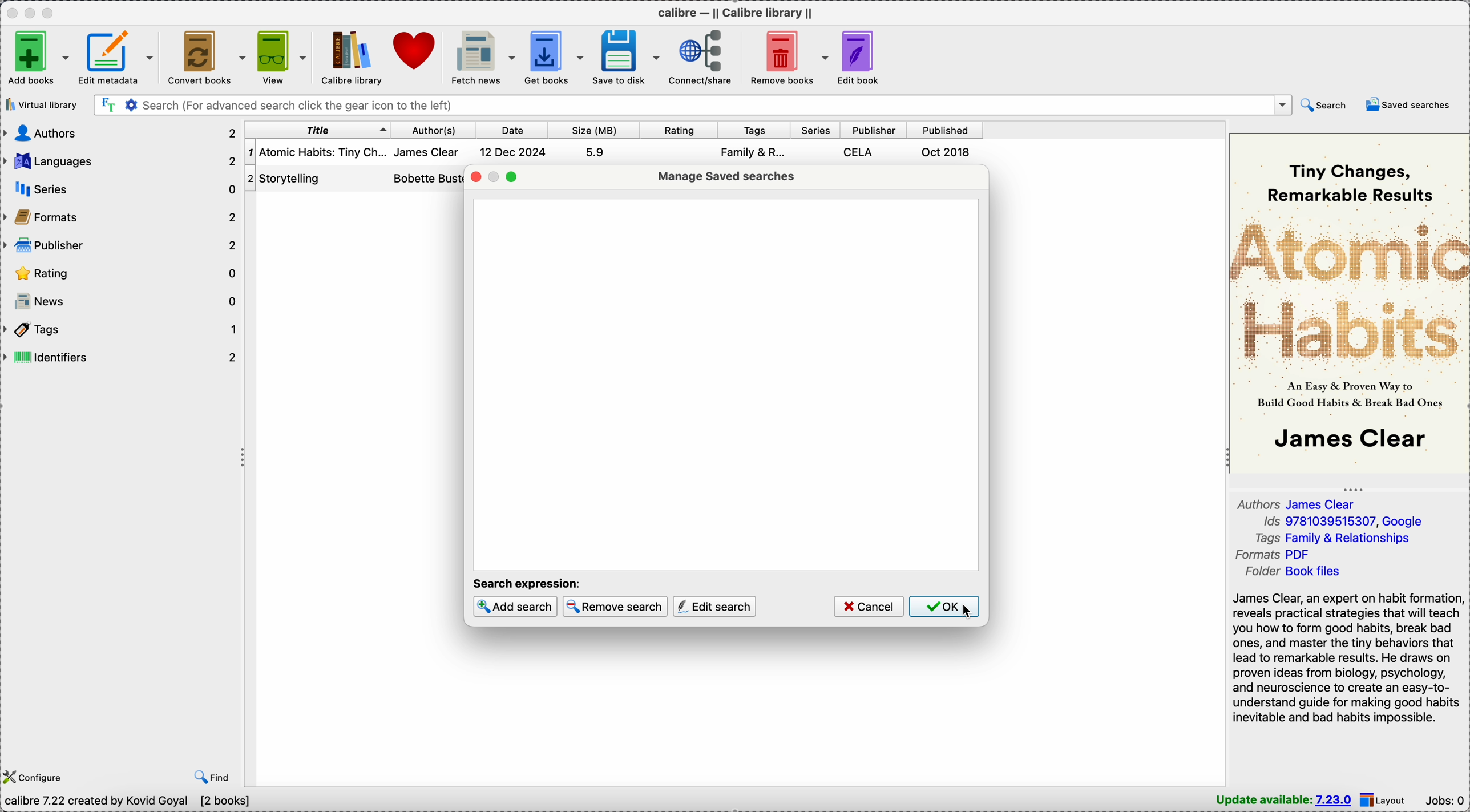 The width and height of the screenshot is (1470, 812). What do you see at coordinates (123, 300) in the screenshot?
I see `news` at bounding box center [123, 300].